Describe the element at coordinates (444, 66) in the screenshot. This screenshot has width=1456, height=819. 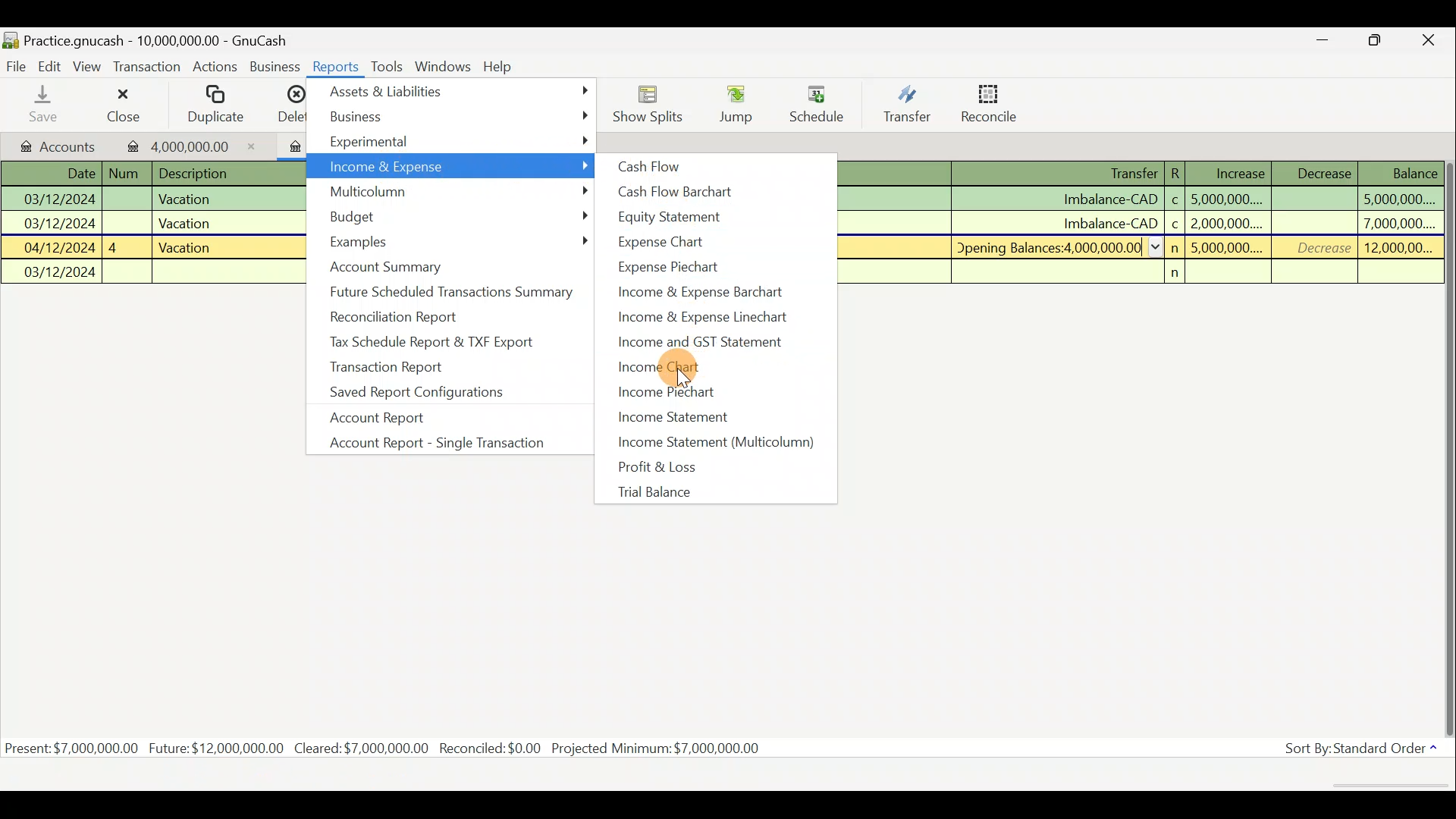
I see `Windows` at that location.